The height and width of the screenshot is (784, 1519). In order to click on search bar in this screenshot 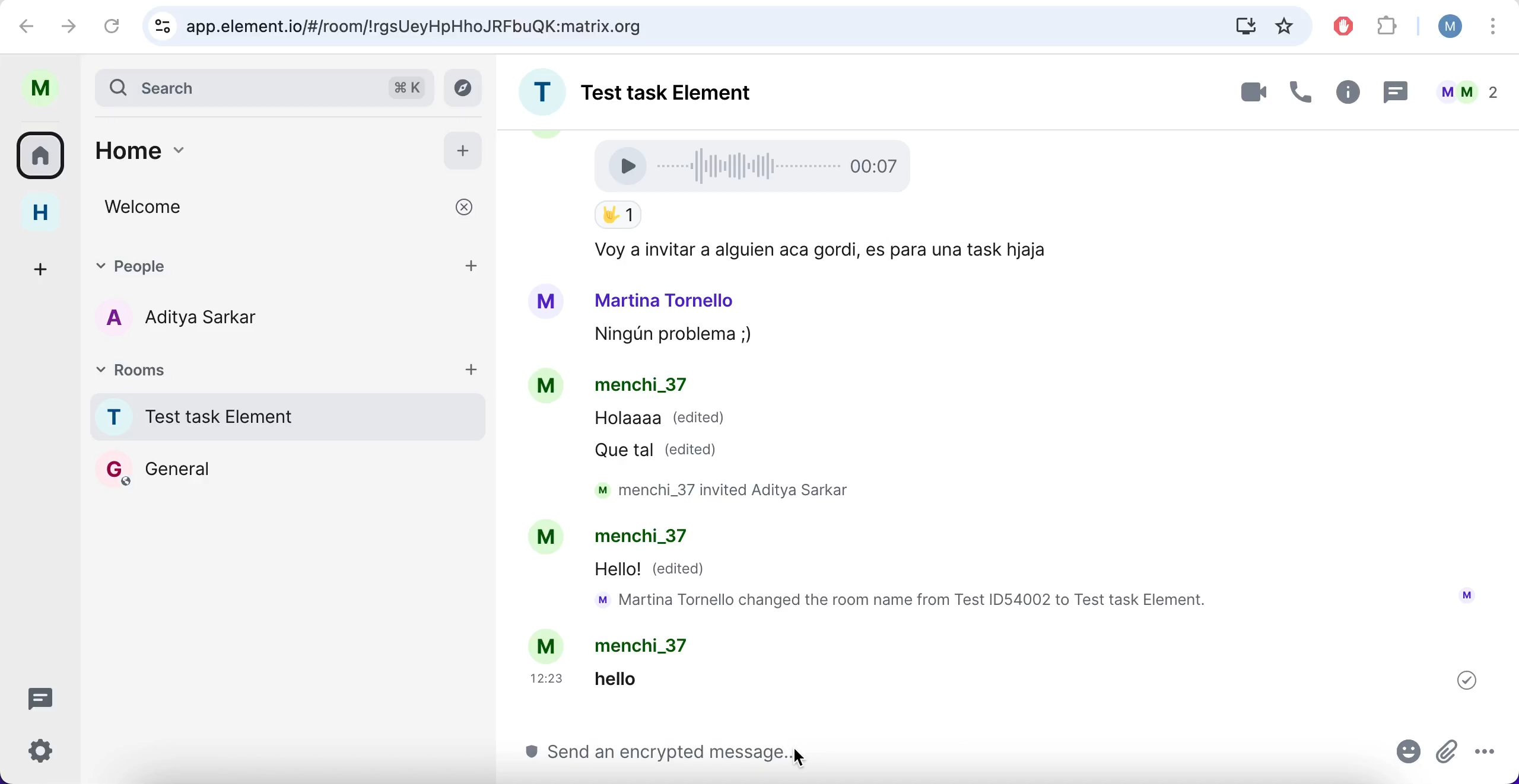, I will do `click(262, 87)`.